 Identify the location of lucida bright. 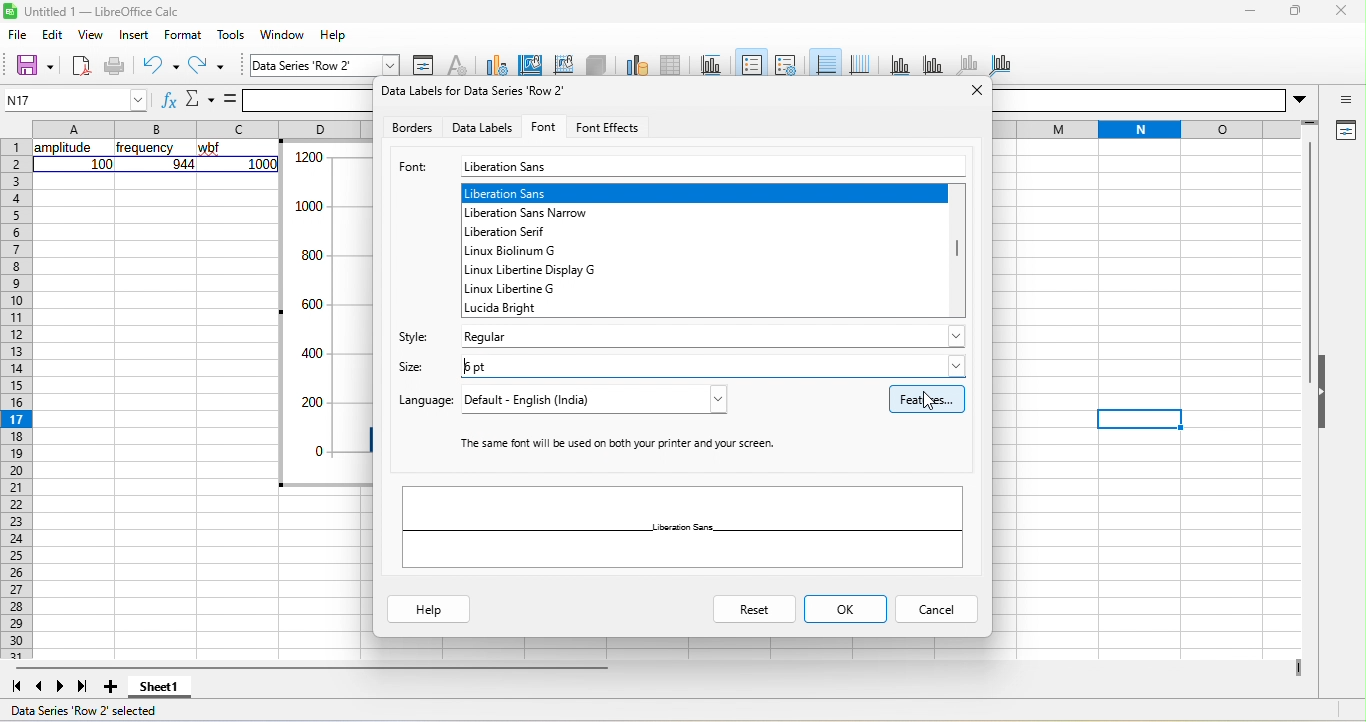
(521, 307).